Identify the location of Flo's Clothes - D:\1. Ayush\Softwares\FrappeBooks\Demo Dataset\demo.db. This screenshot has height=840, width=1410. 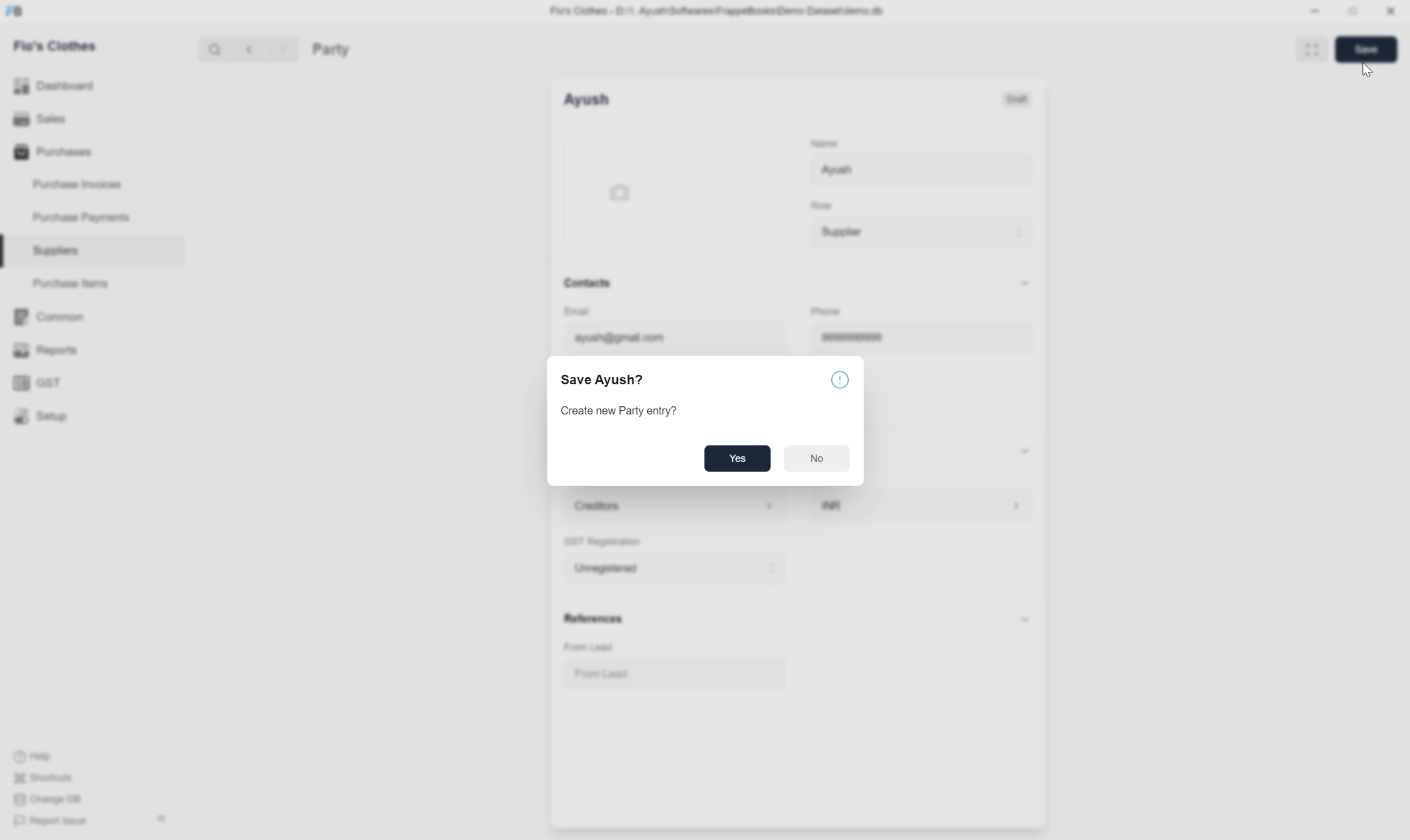
(717, 11).